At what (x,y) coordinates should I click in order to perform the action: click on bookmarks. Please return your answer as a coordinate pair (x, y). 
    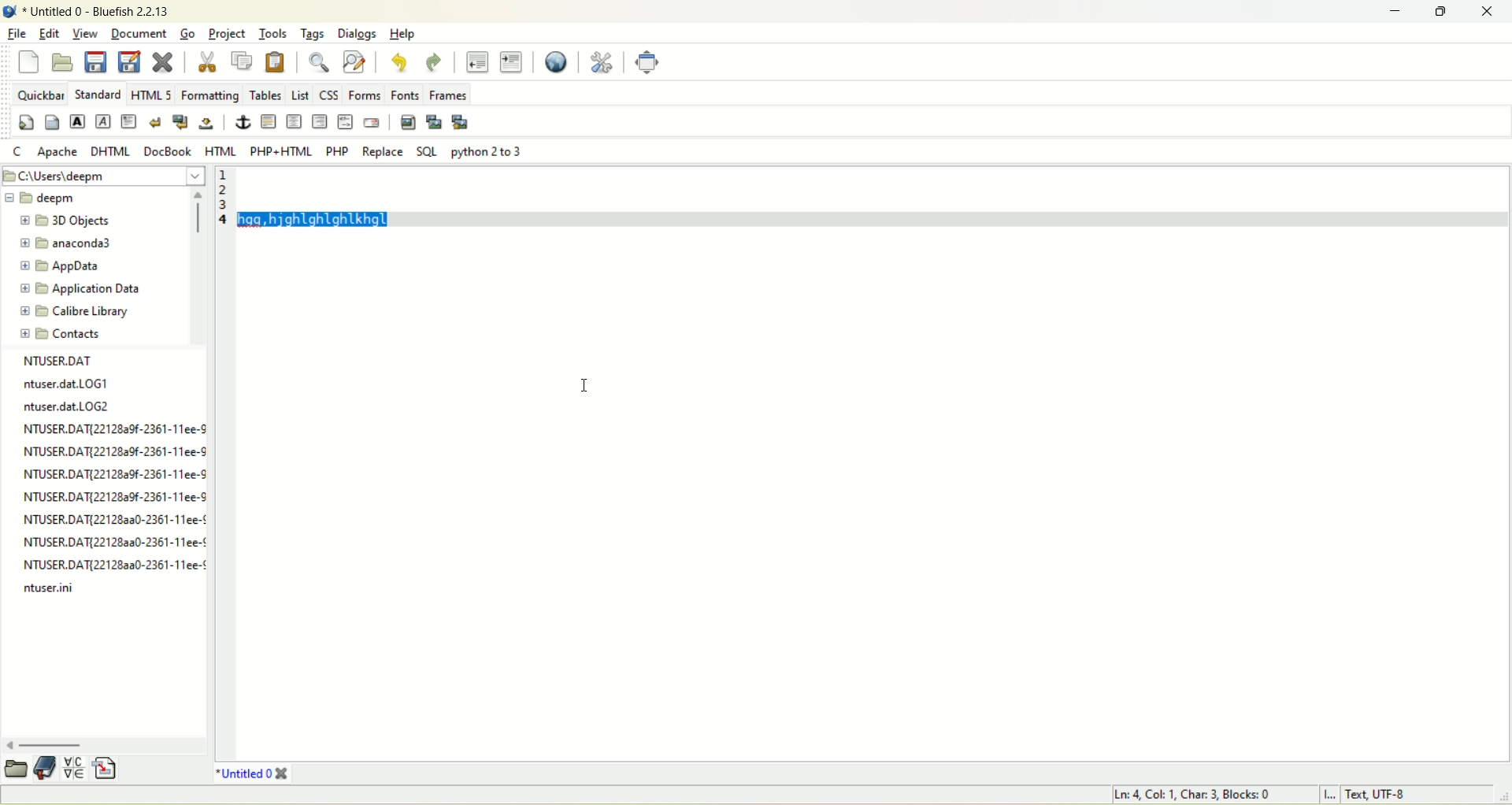
    Looking at the image, I should click on (46, 771).